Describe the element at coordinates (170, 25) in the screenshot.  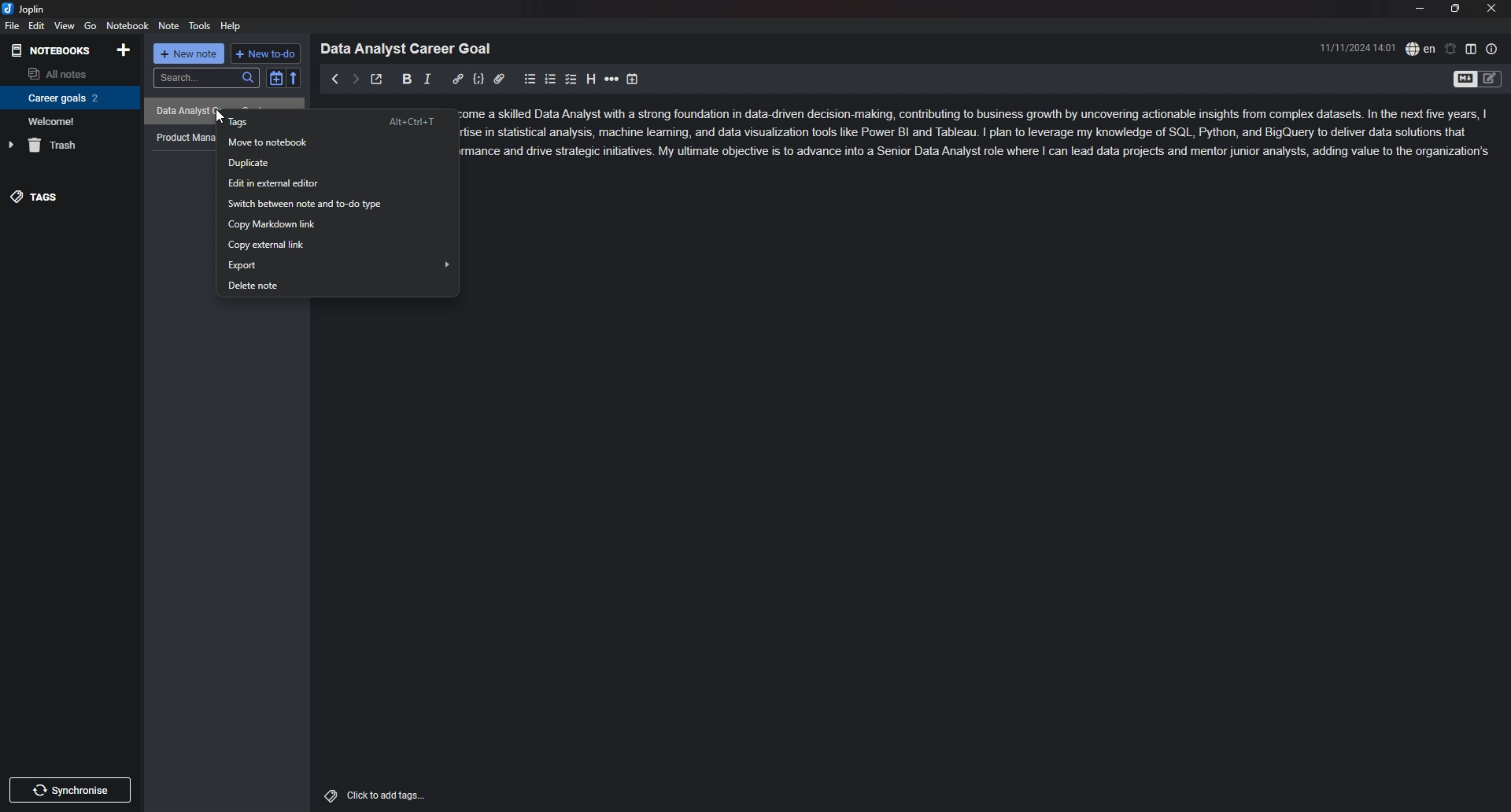
I see `note` at that location.